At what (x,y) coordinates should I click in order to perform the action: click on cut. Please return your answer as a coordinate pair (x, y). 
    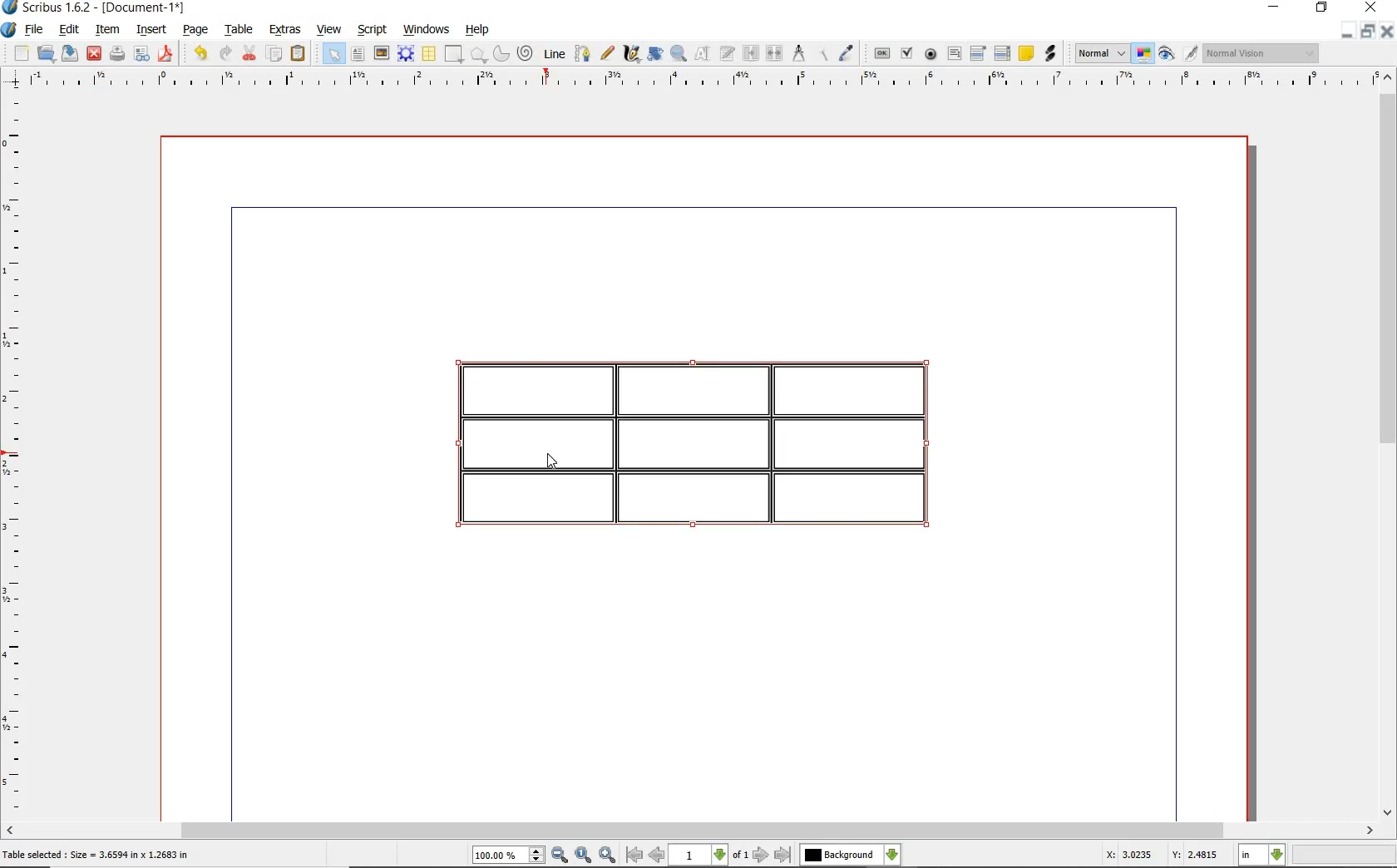
    Looking at the image, I should click on (250, 54).